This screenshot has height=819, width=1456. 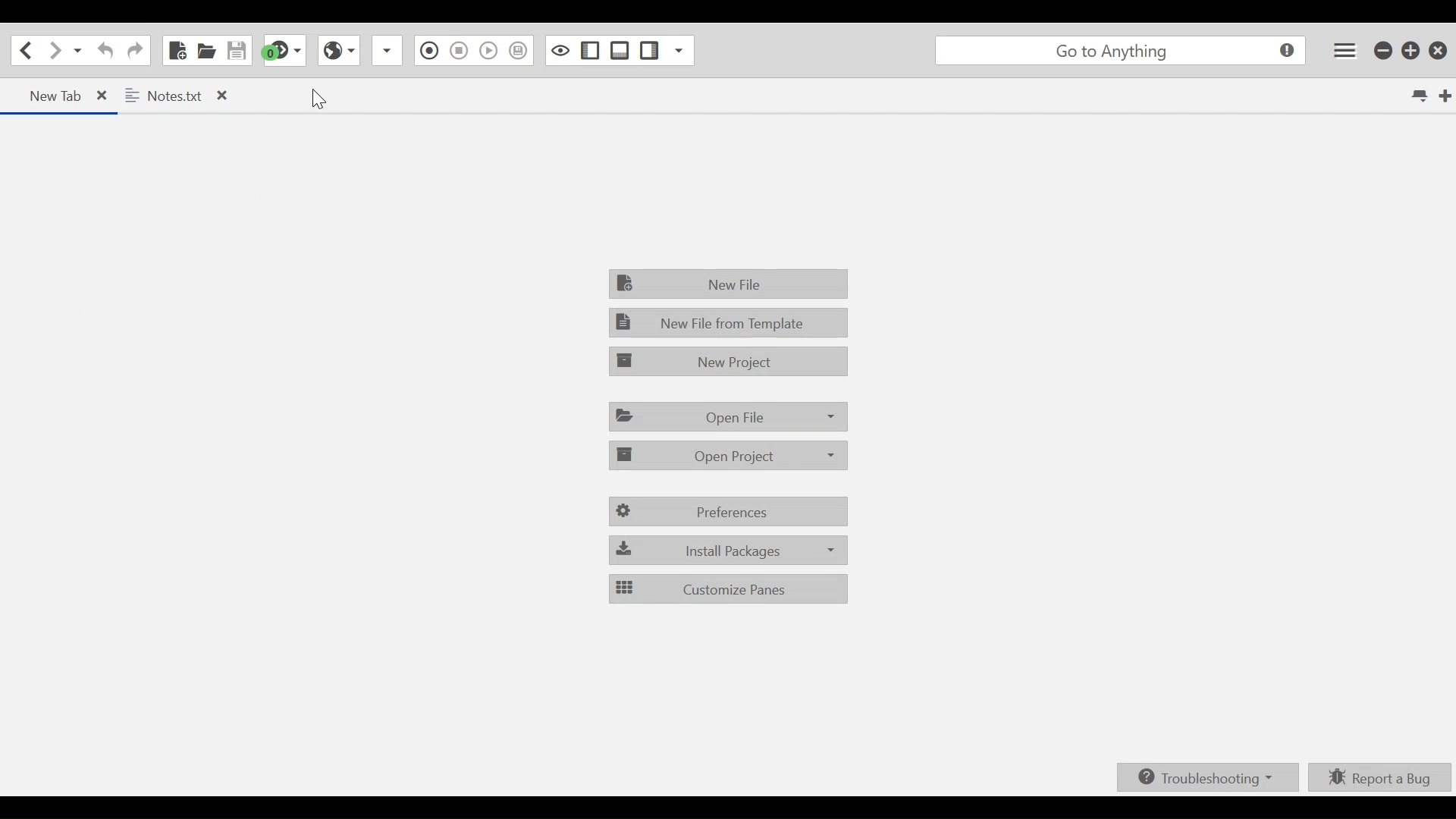 I want to click on Preferences, so click(x=727, y=510).